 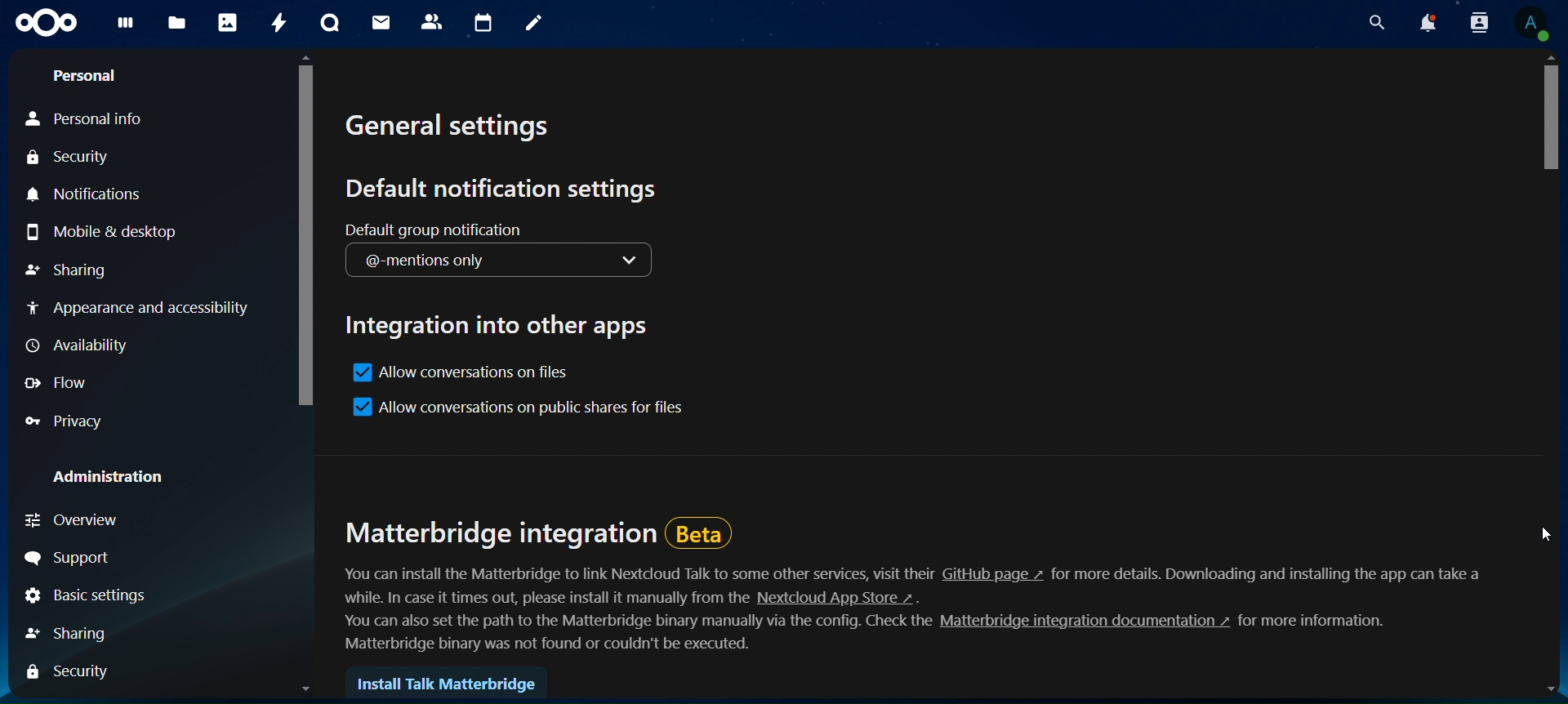 What do you see at coordinates (131, 29) in the screenshot?
I see `dashboard` at bounding box center [131, 29].